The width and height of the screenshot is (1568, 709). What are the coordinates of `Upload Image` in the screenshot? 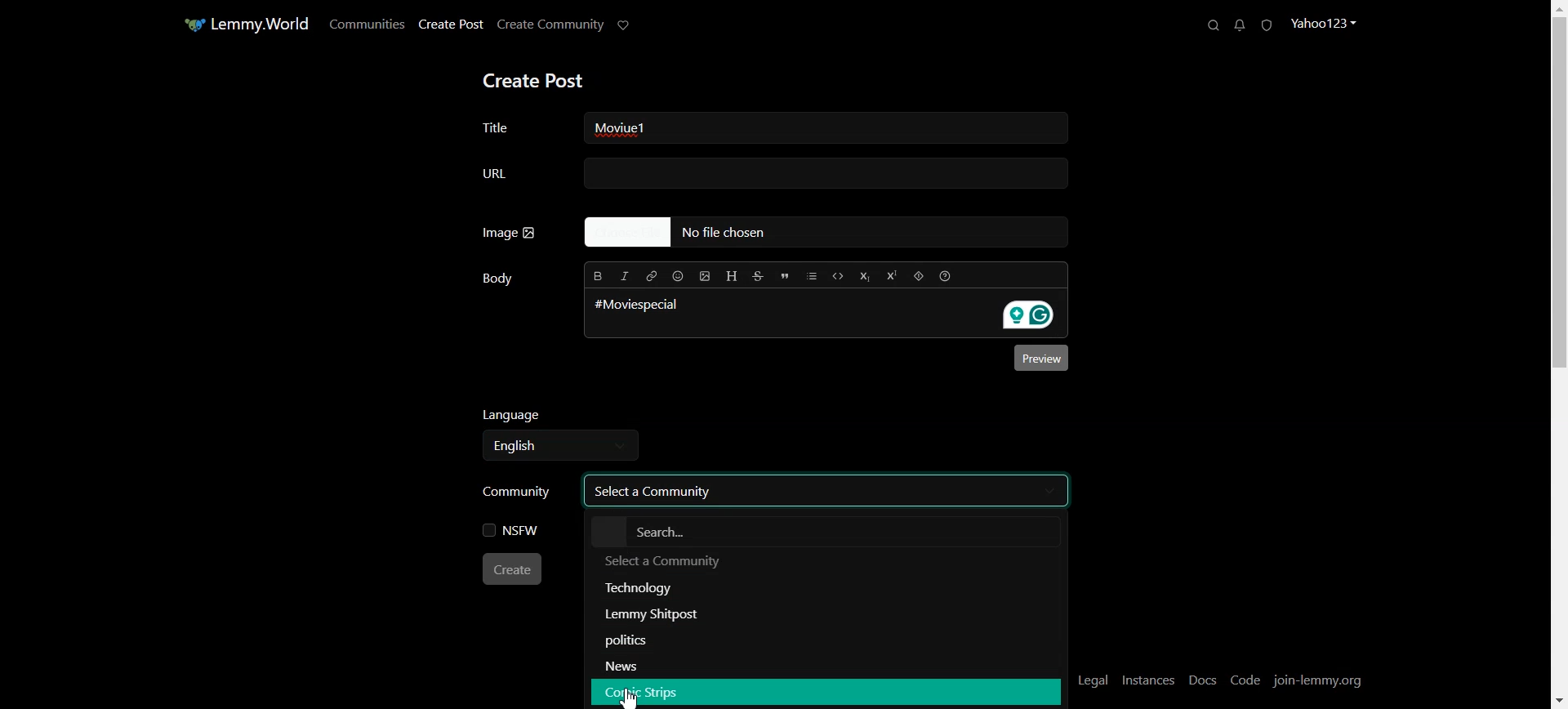 It's located at (706, 276).